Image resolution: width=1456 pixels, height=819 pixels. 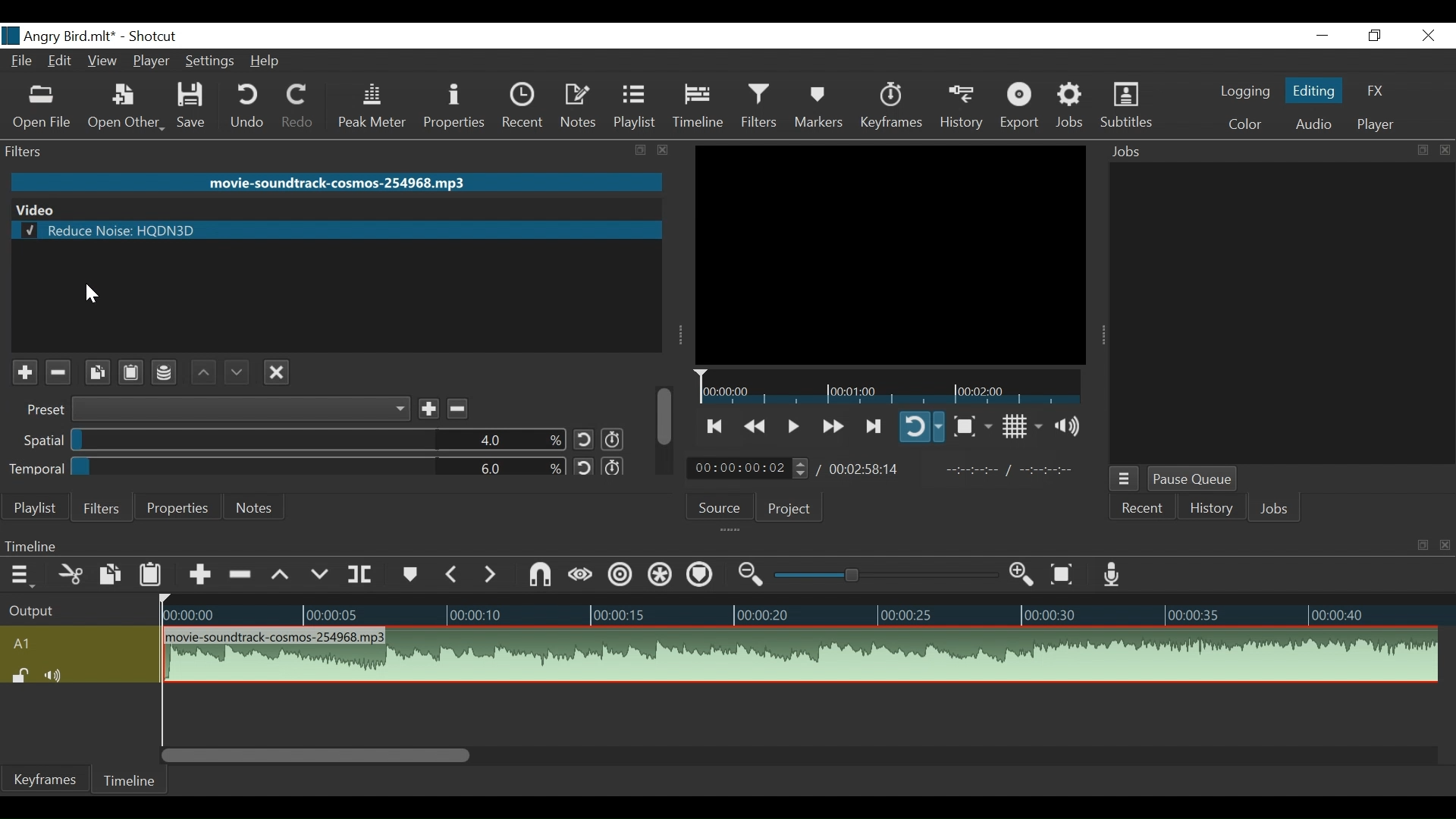 What do you see at coordinates (961, 107) in the screenshot?
I see `History` at bounding box center [961, 107].